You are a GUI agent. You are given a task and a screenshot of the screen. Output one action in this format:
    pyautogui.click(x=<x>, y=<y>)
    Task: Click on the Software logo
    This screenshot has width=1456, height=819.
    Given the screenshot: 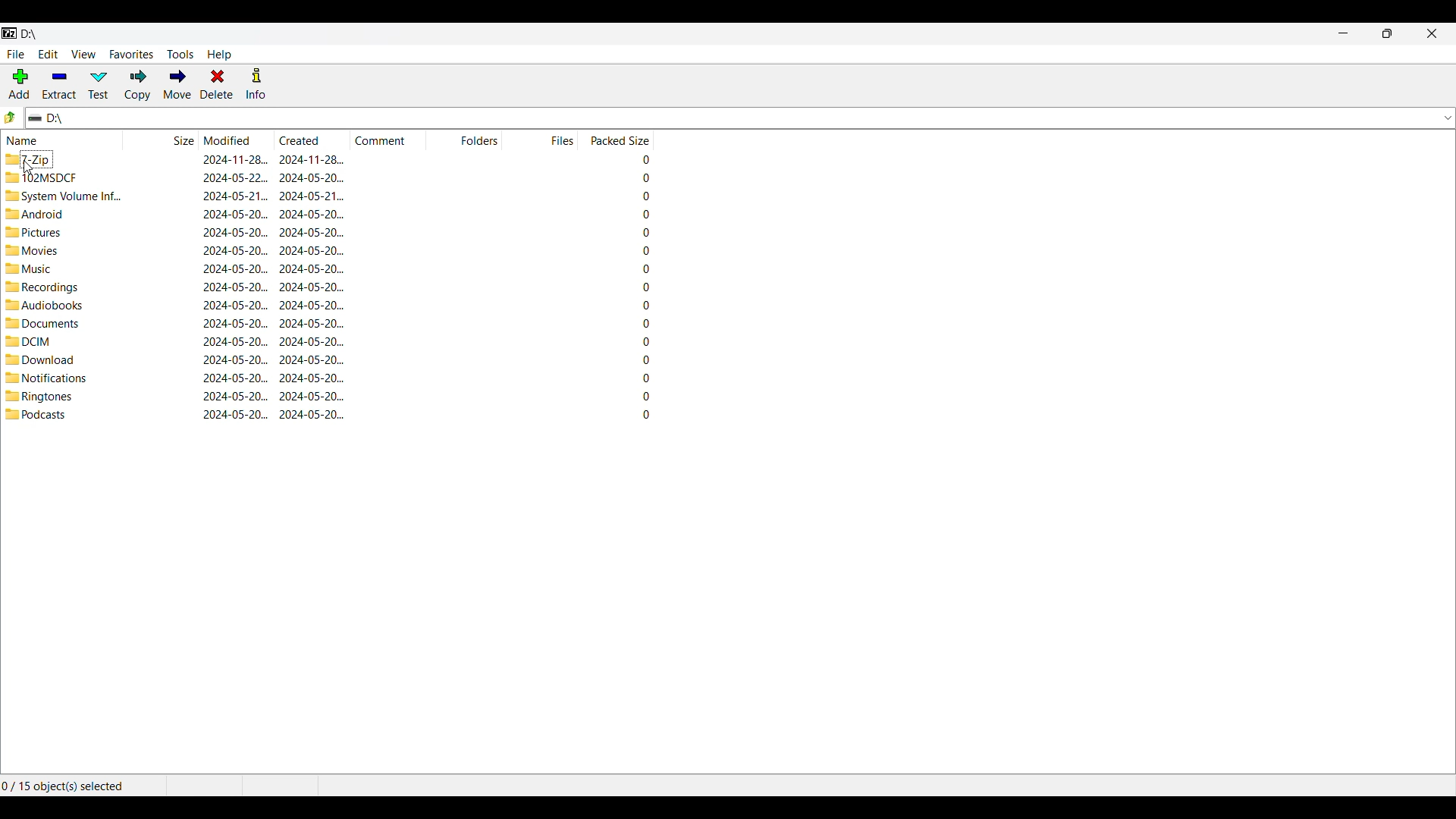 What is the action you would take?
    pyautogui.click(x=10, y=33)
    